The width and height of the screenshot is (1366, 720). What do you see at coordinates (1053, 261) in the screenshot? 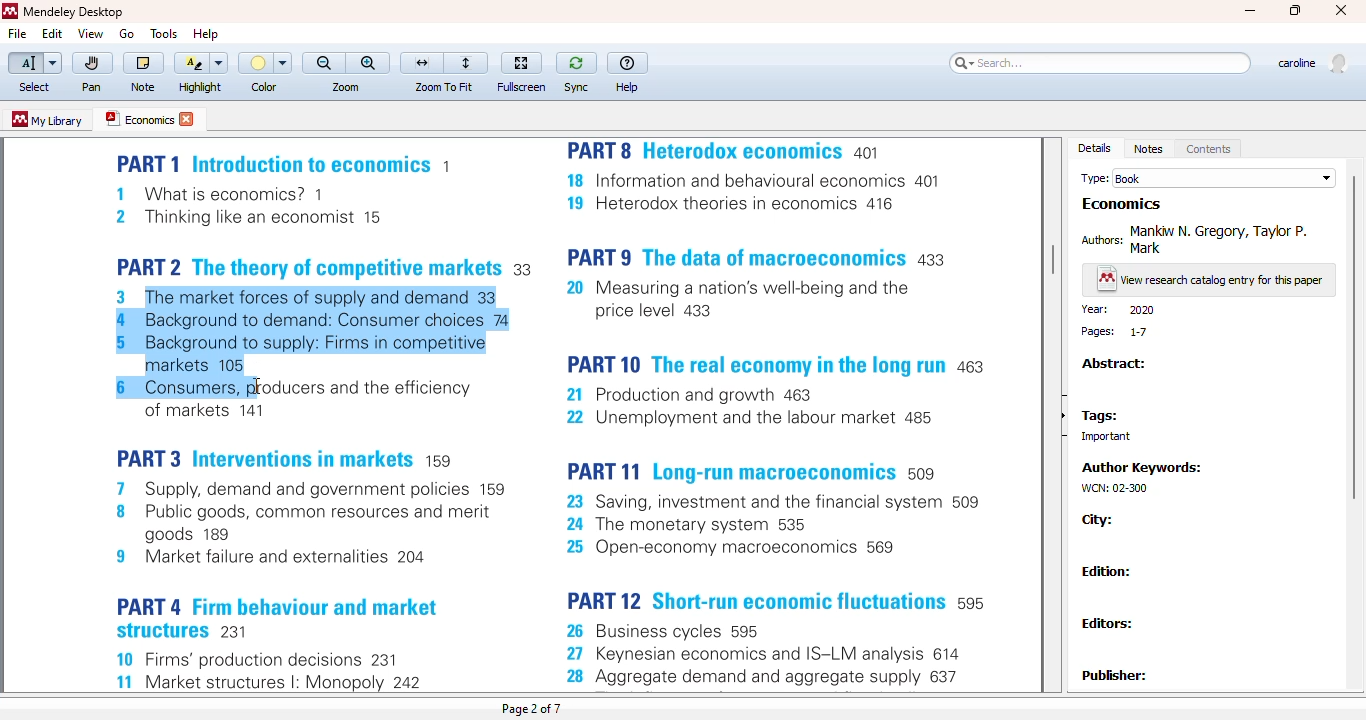
I see `vertical scroll bar` at bounding box center [1053, 261].